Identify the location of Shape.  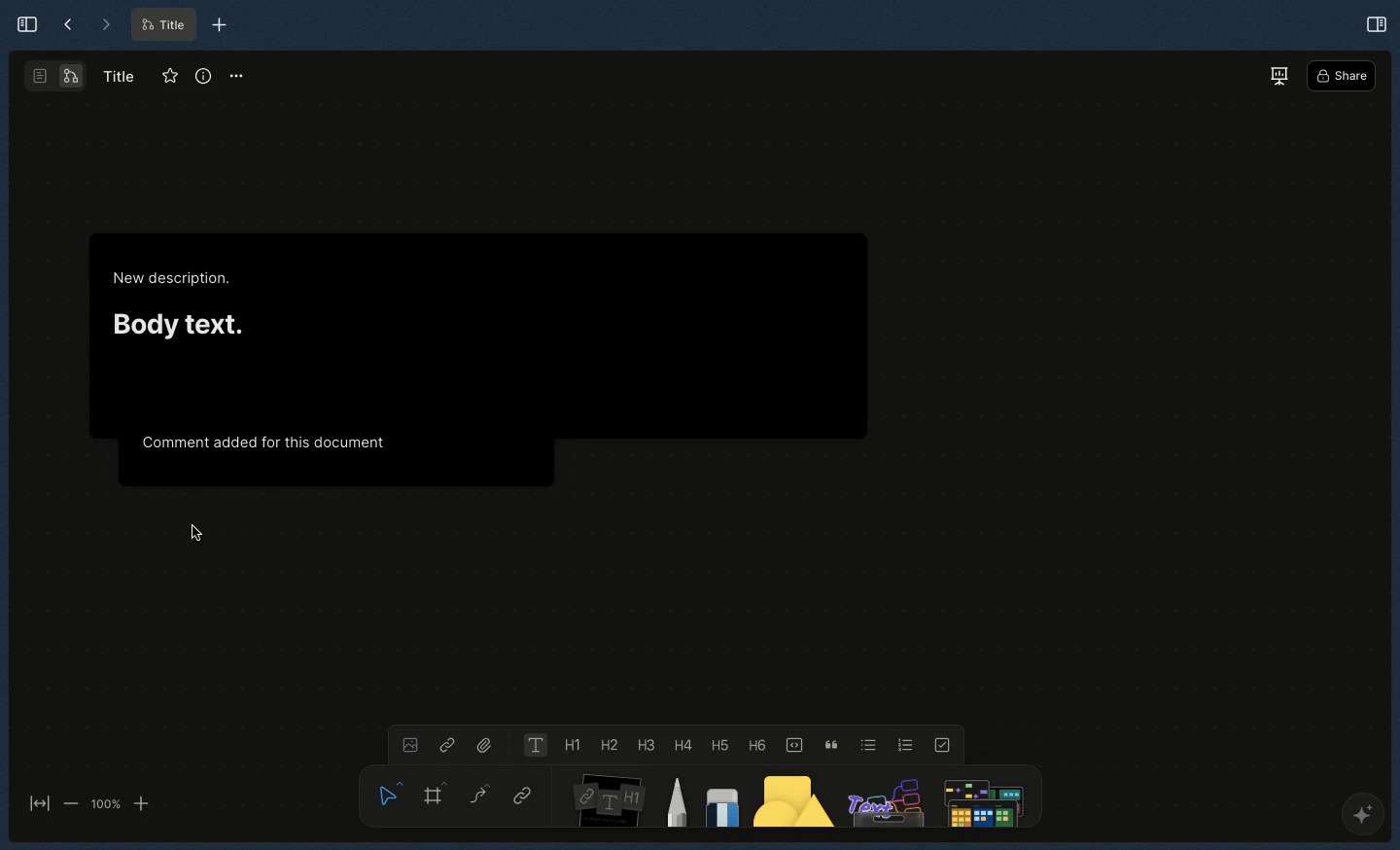
(794, 800).